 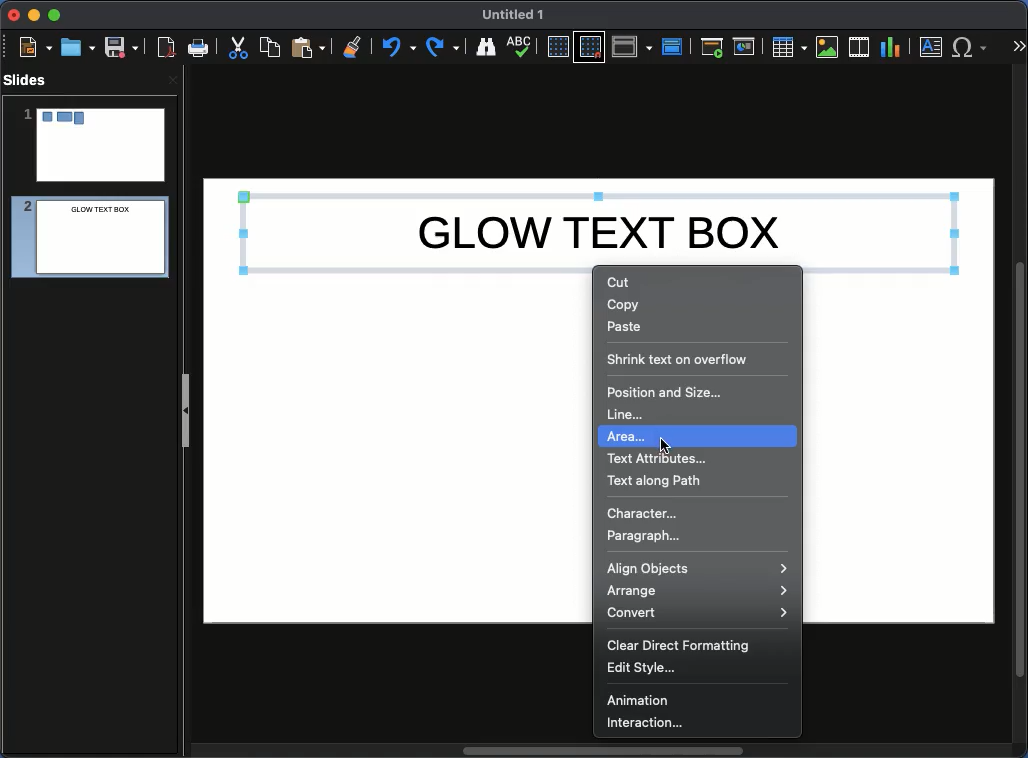 I want to click on Find, so click(x=485, y=46).